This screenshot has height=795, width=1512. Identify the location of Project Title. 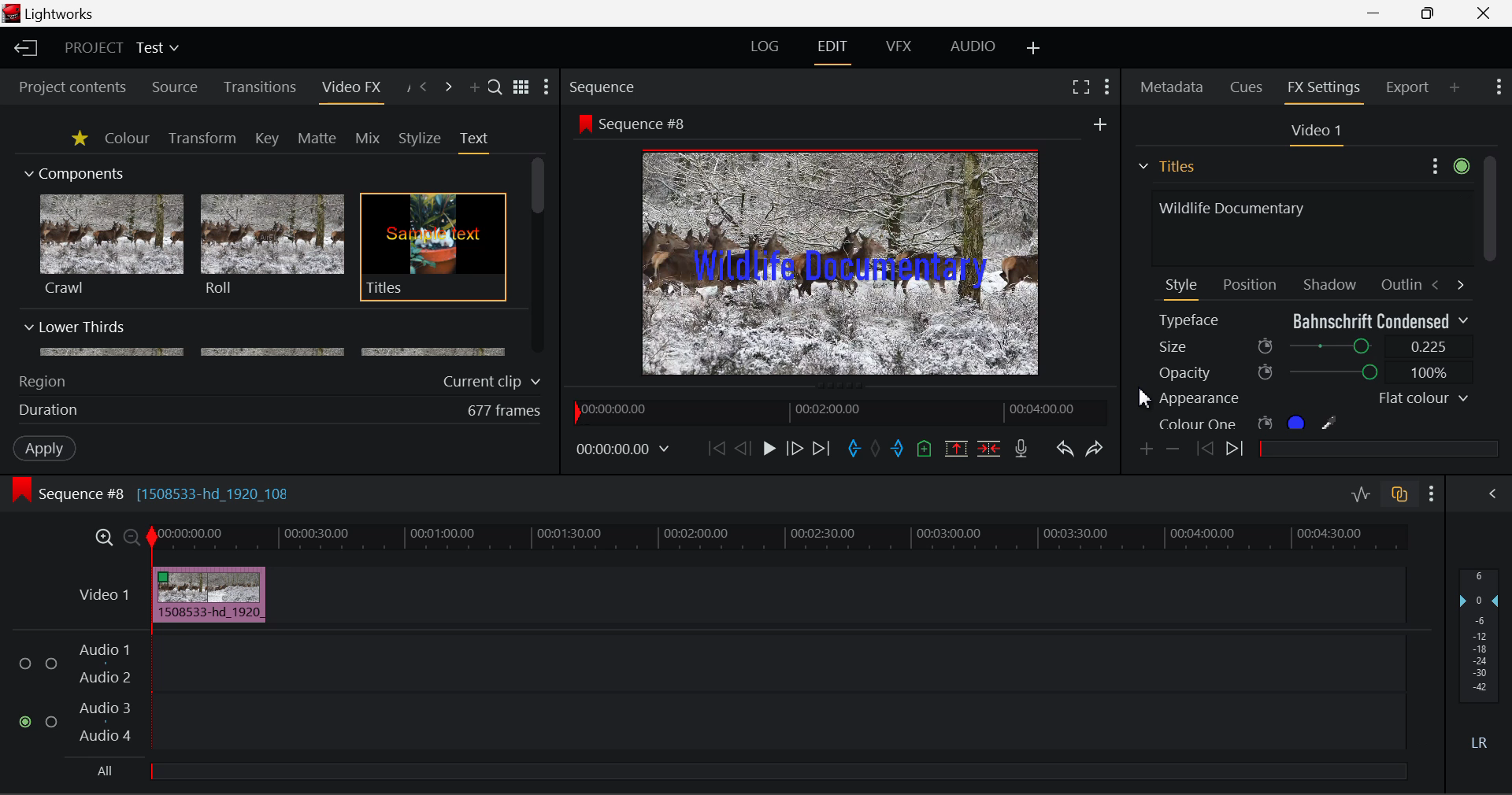
(123, 46).